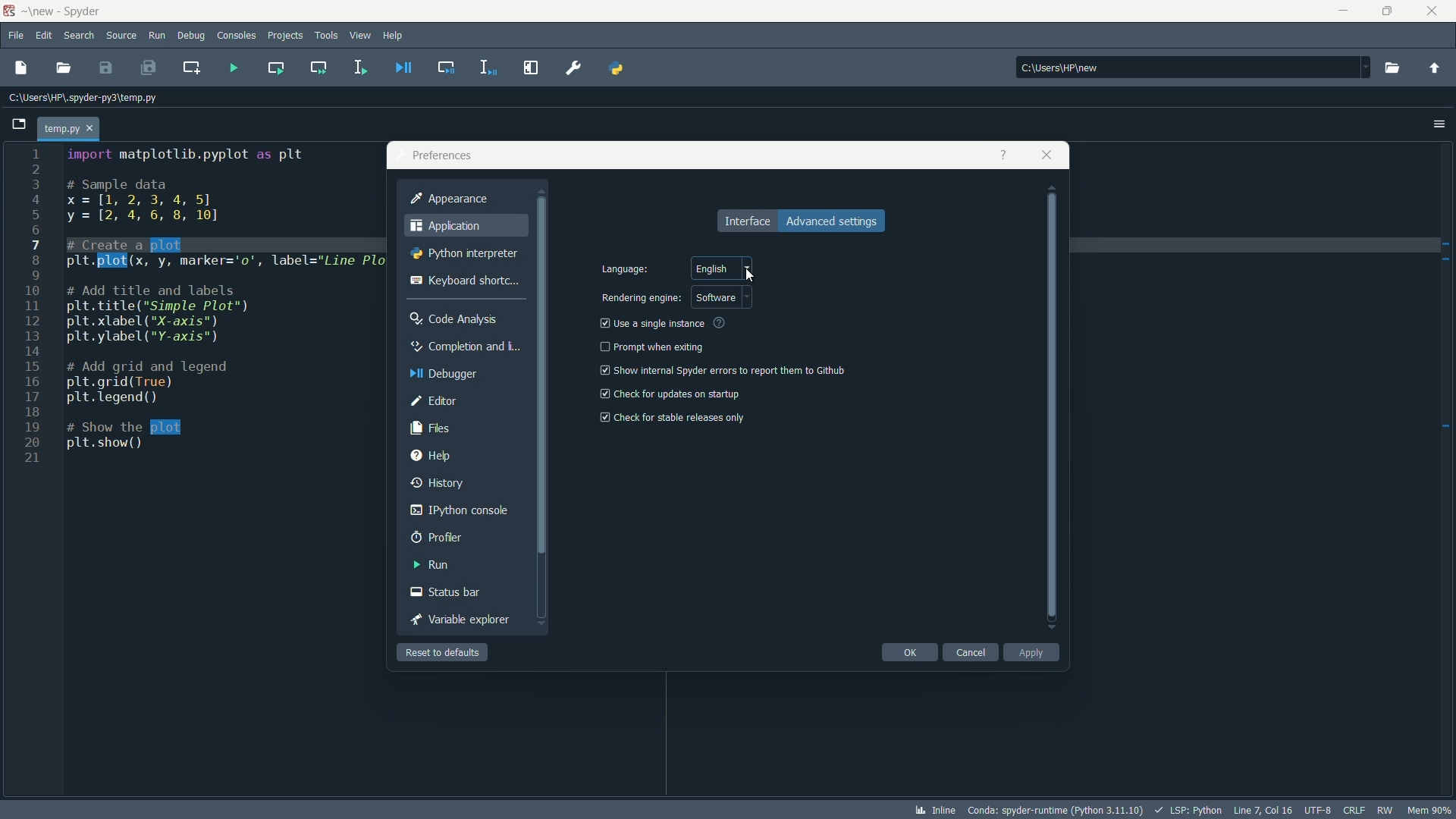  I want to click on python interpreter, so click(466, 253).